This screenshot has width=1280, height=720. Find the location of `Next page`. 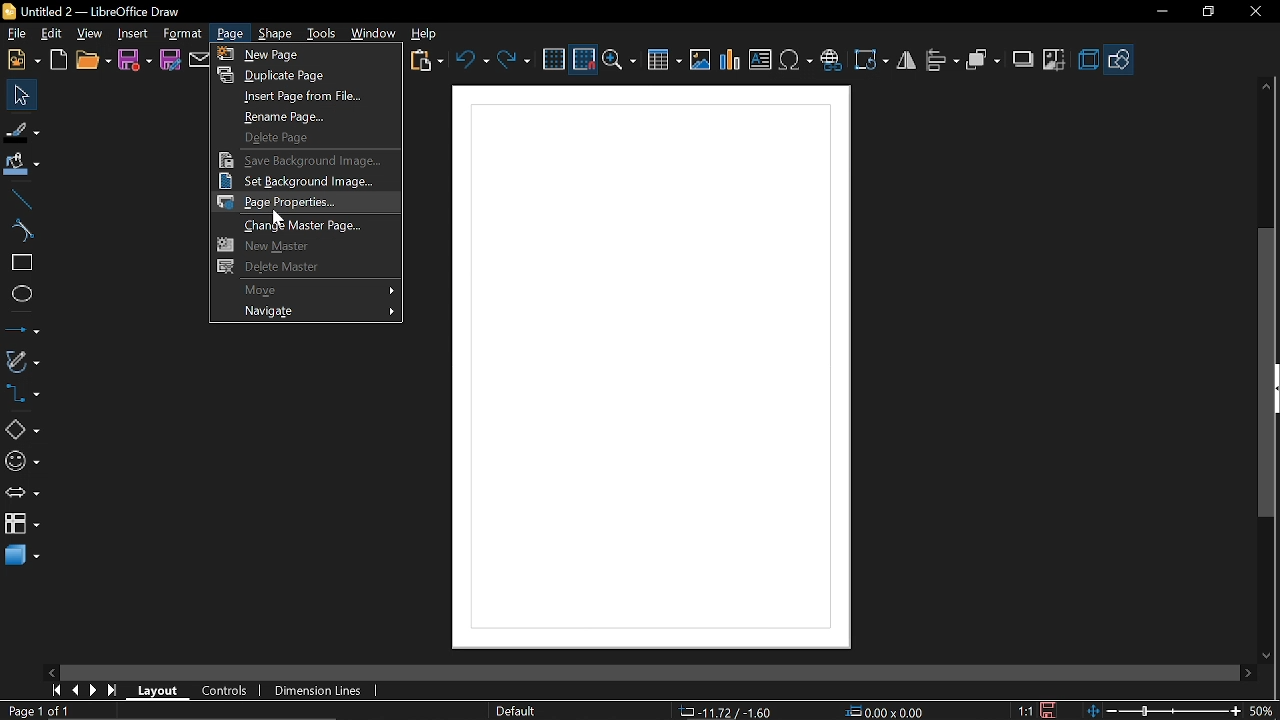

Next page is located at coordinates (94, 690).